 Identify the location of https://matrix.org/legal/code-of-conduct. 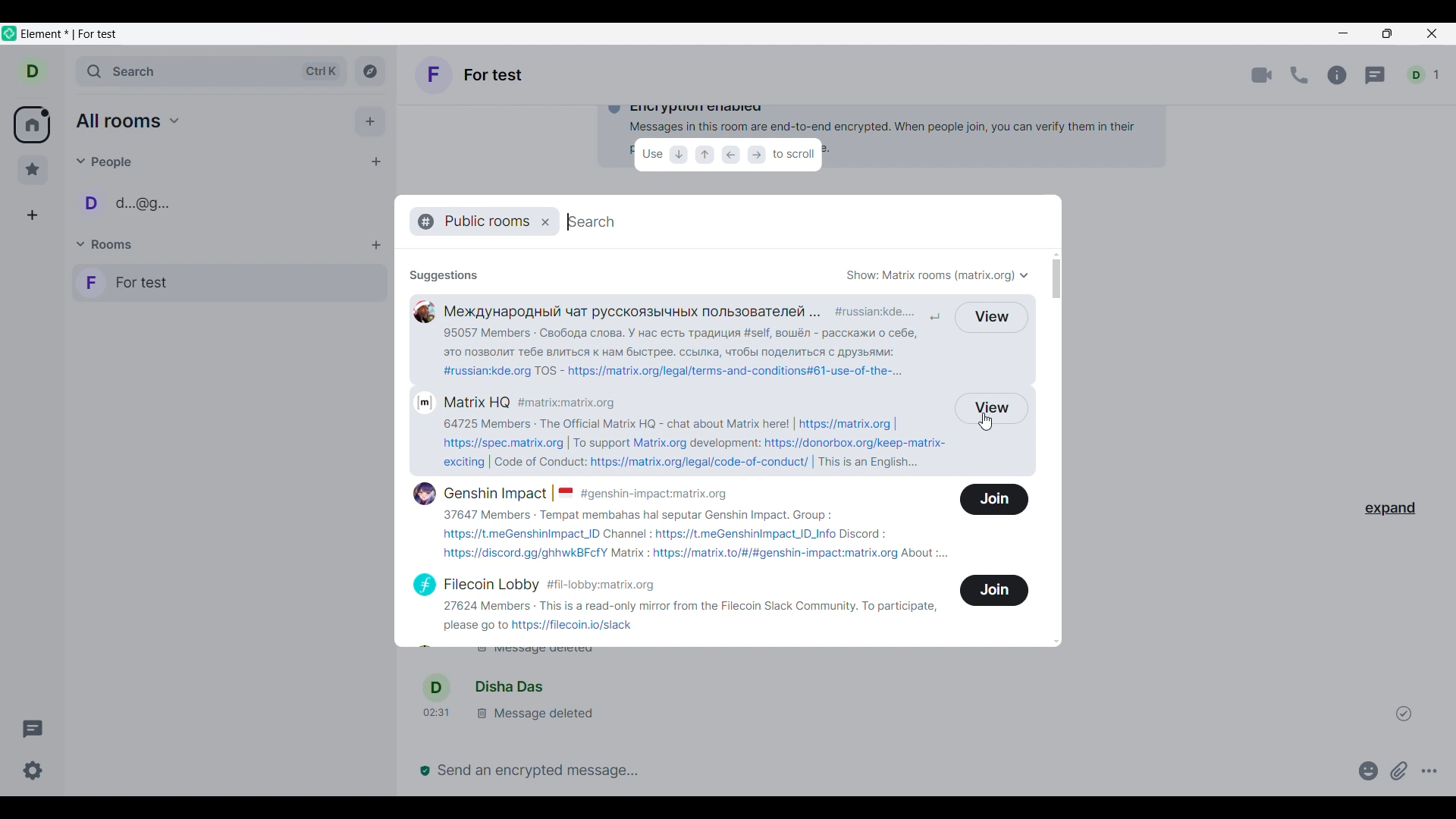
(704, 464).